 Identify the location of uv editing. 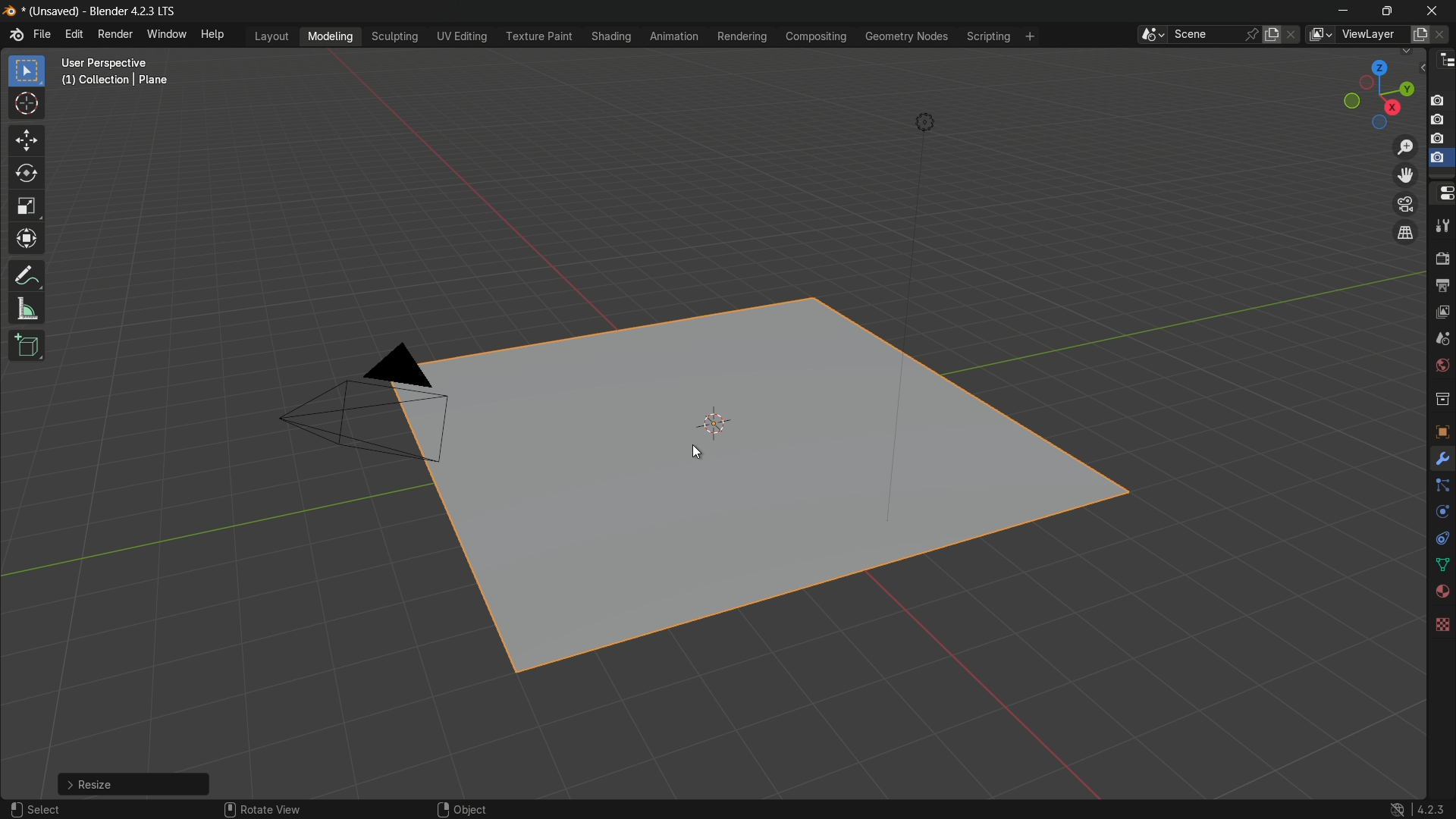
(463, 37).